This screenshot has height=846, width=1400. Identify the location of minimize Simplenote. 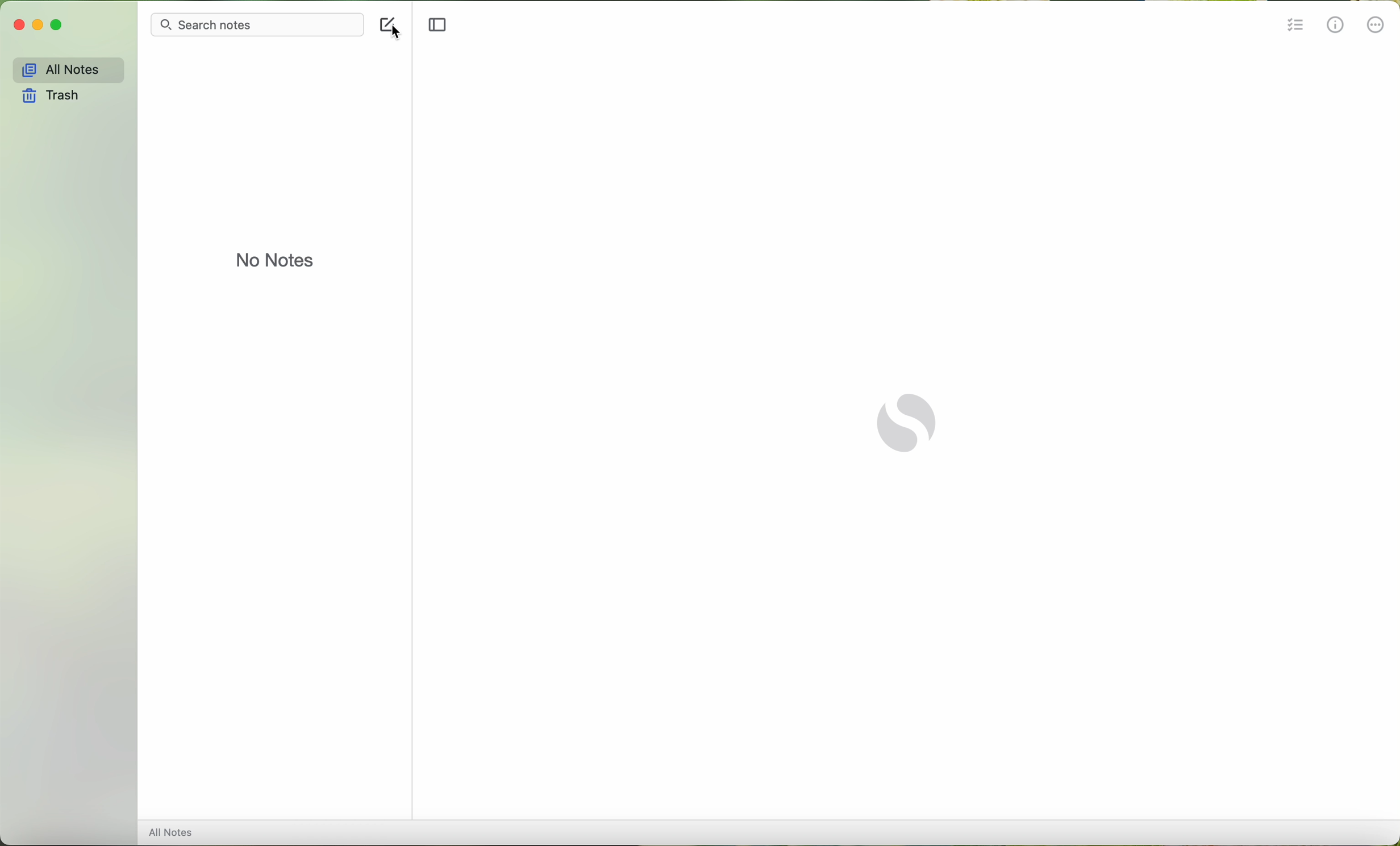
(37, 26).